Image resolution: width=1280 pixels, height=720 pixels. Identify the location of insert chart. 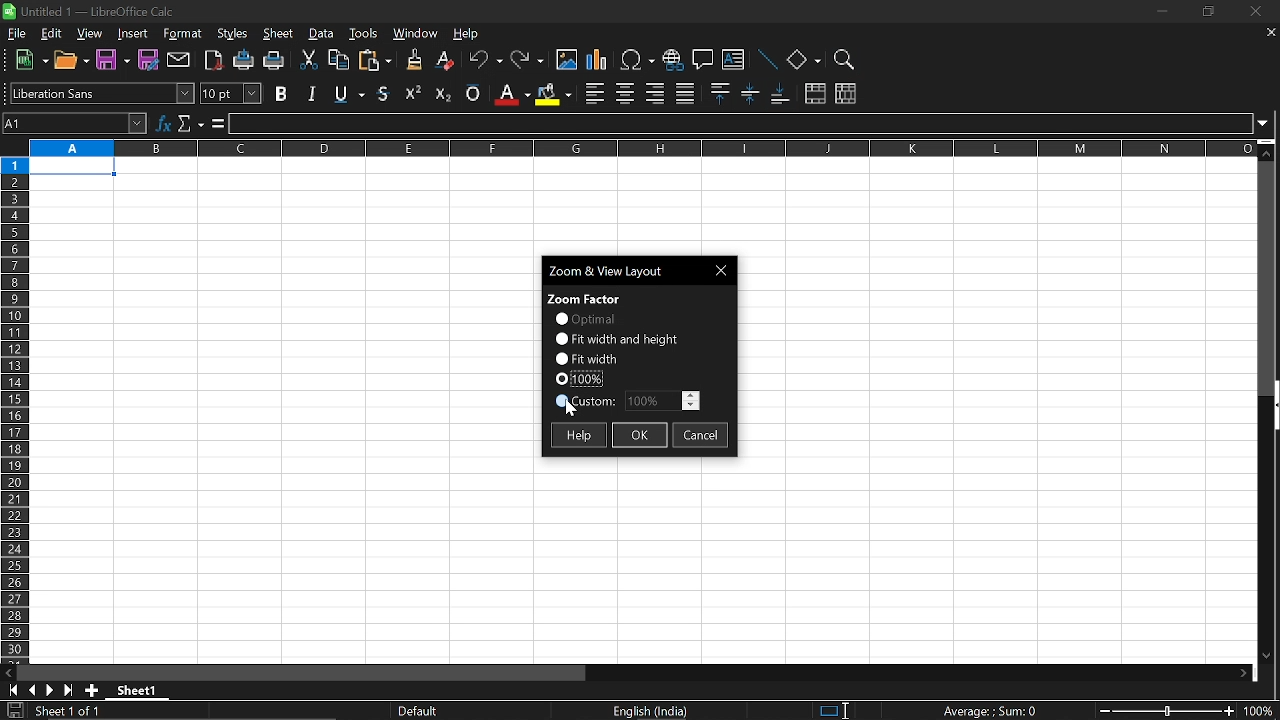
(597, 61).